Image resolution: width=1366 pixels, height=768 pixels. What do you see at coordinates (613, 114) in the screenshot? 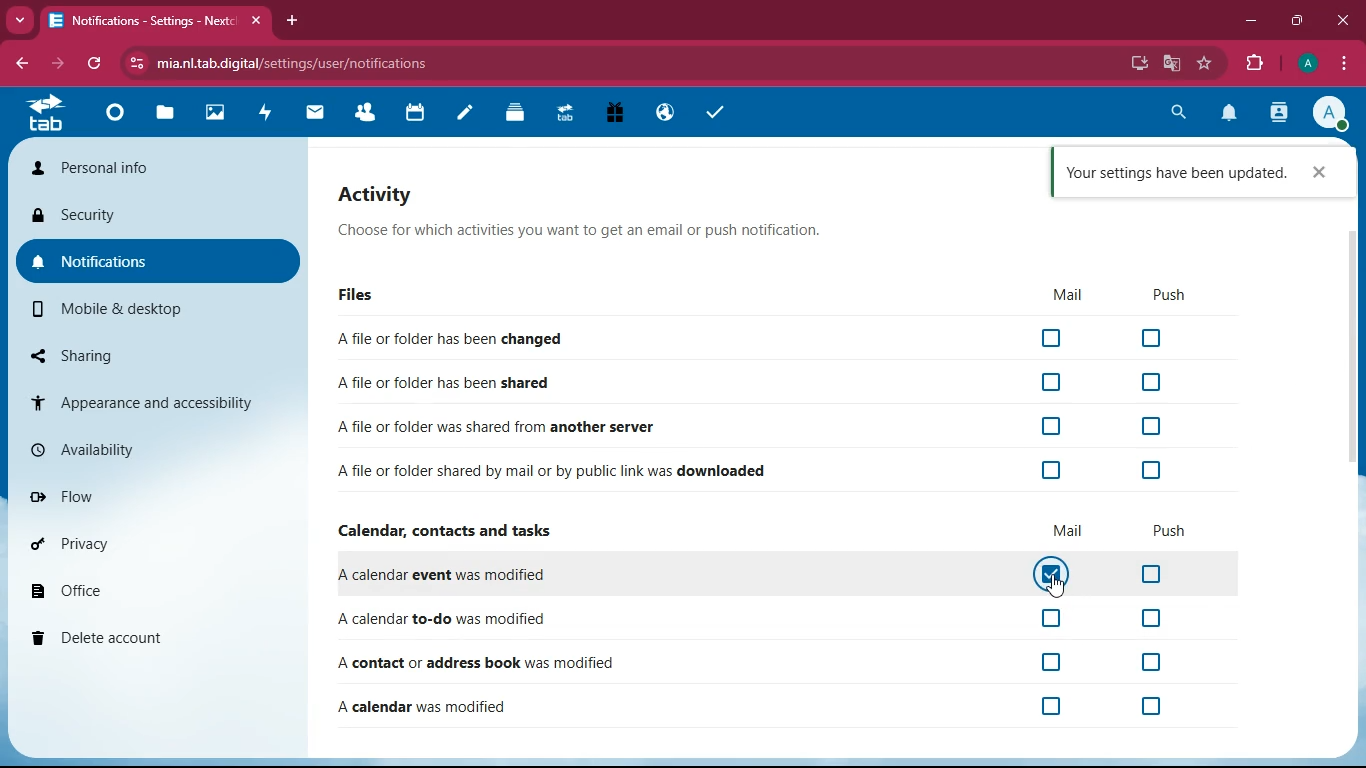
I see `Free Trial` at bounding box center [613, 114].